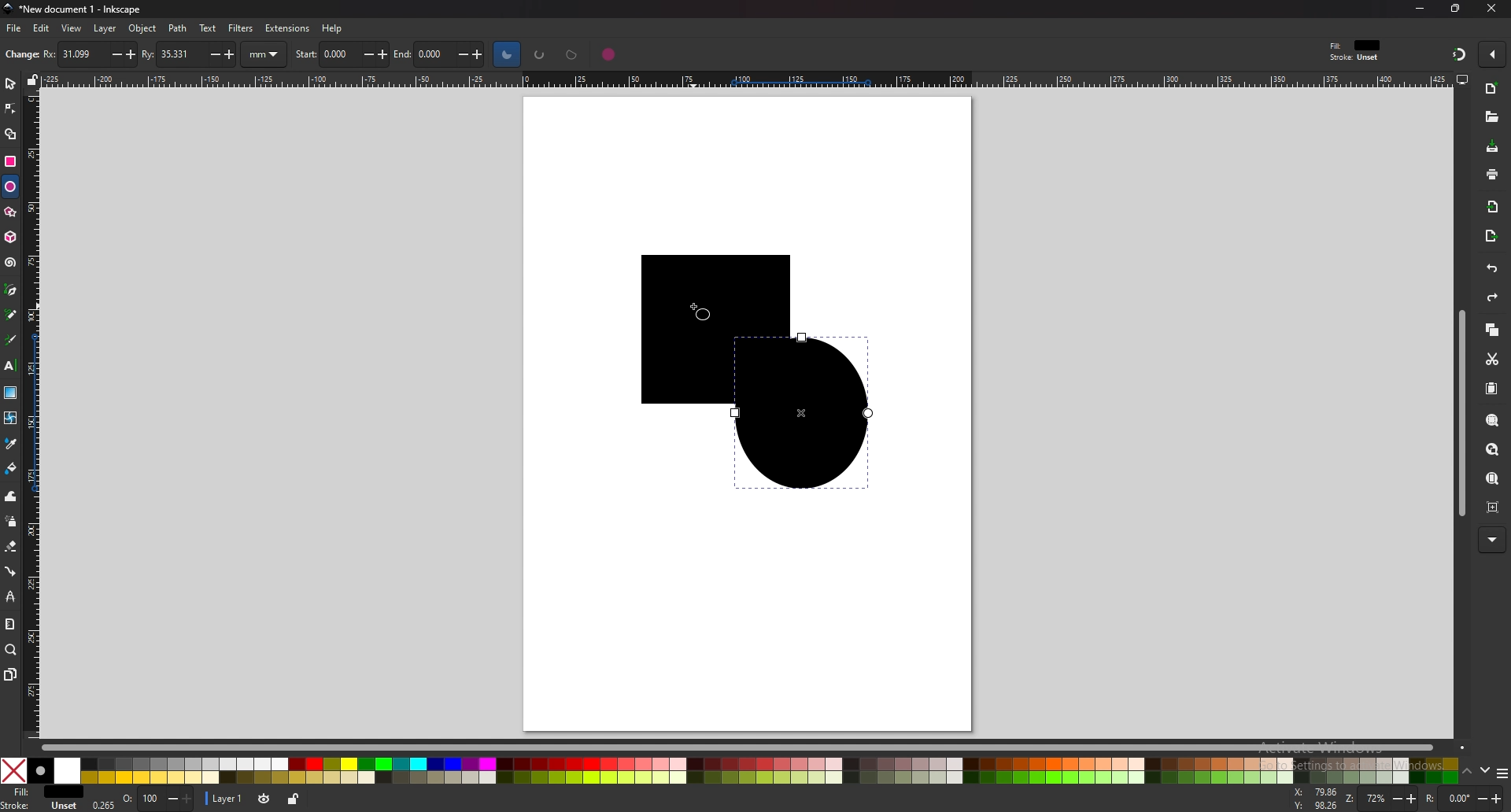 The height and width of the screenshot is (812, 1511). Describe the element at coordinates (11, 596) in the screenshot. I see `lpe` at that location.